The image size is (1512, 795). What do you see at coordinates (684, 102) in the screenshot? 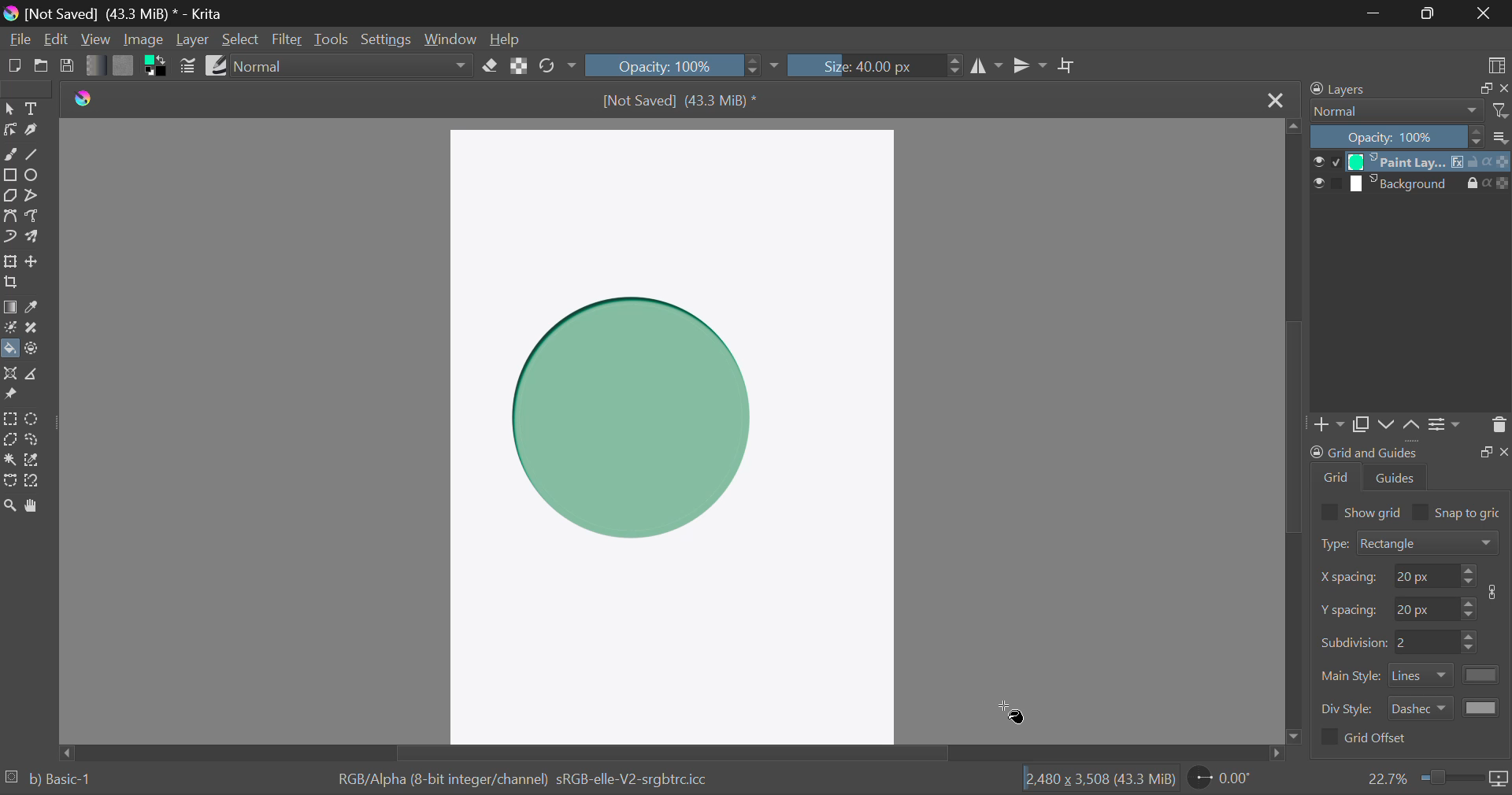
I see `File Name & Size` at bounding box center [684, 102].